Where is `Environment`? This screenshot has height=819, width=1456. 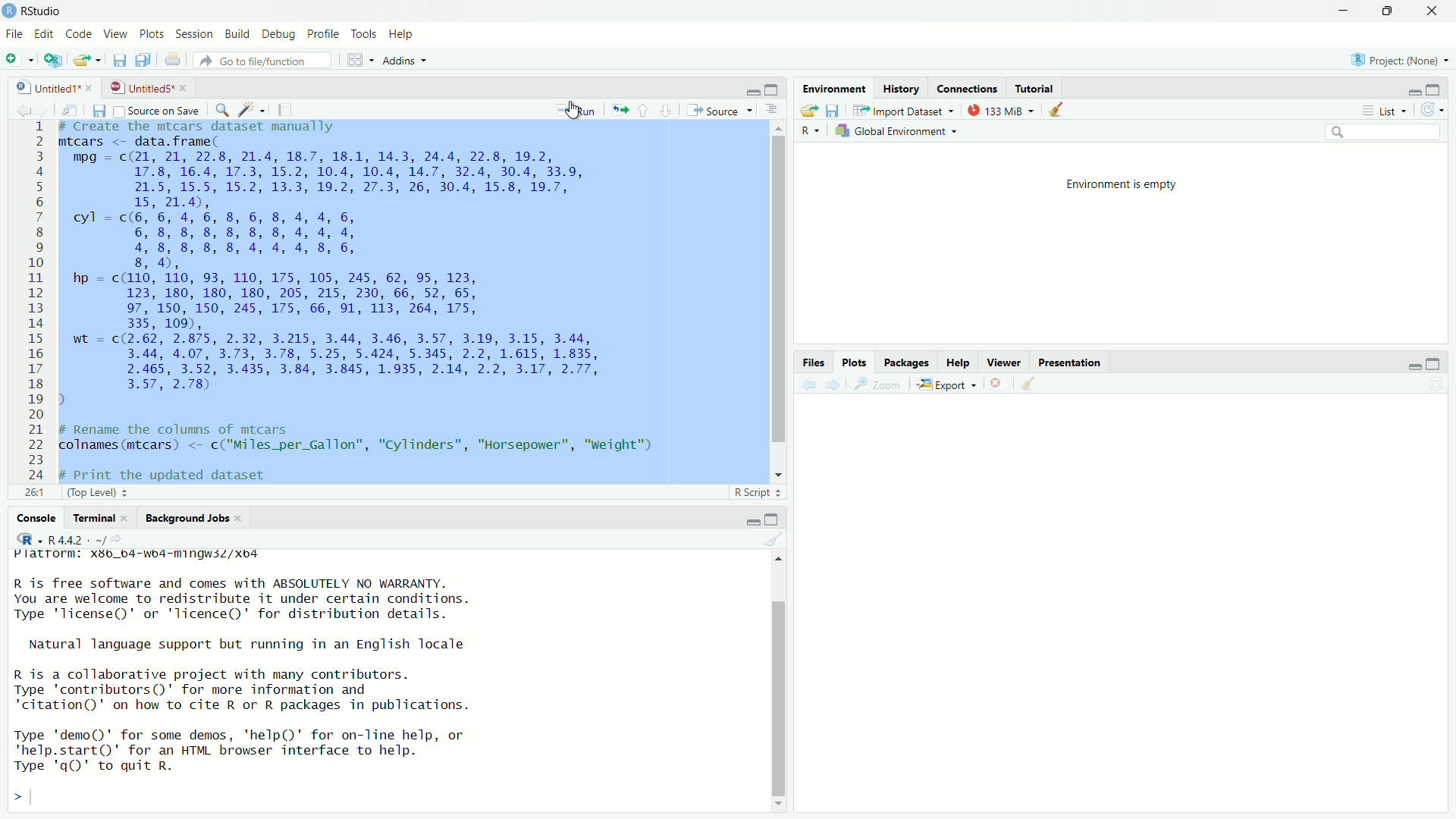 Environment is located at coordinates (833, 90).